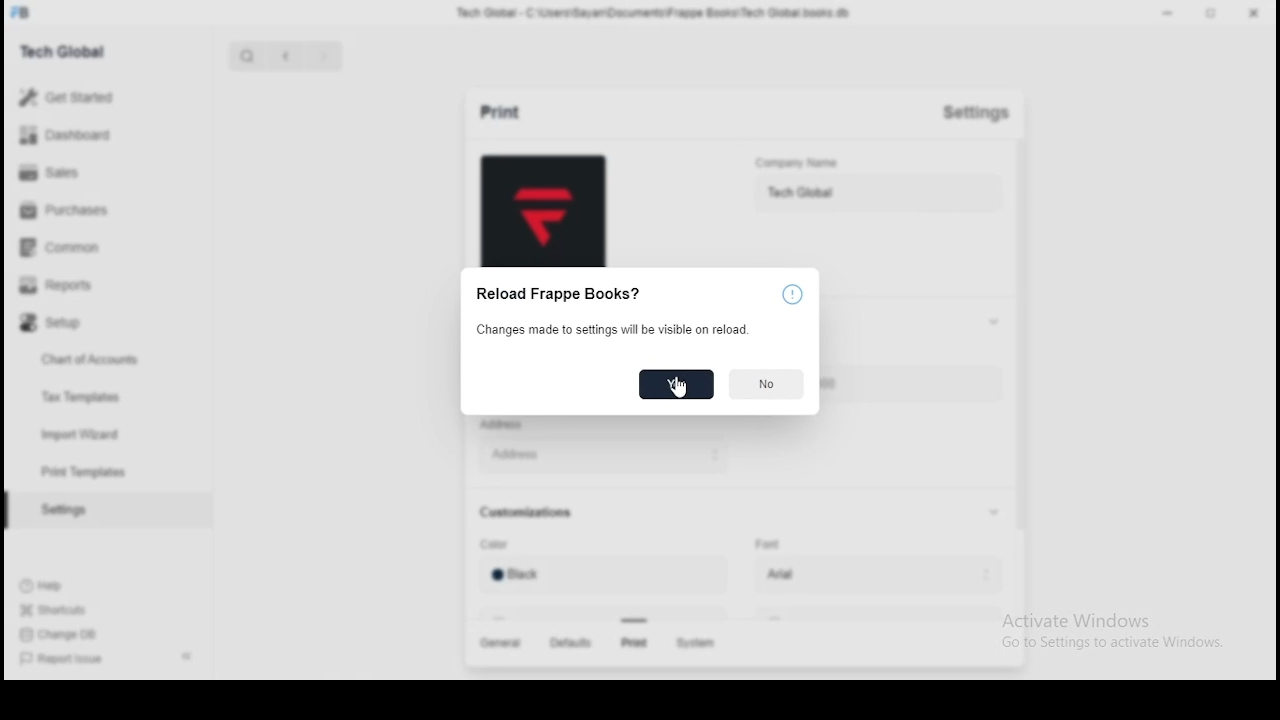  Describe the element at coordinates (872, 576) in the screenshot. I see `select font ` at that location.